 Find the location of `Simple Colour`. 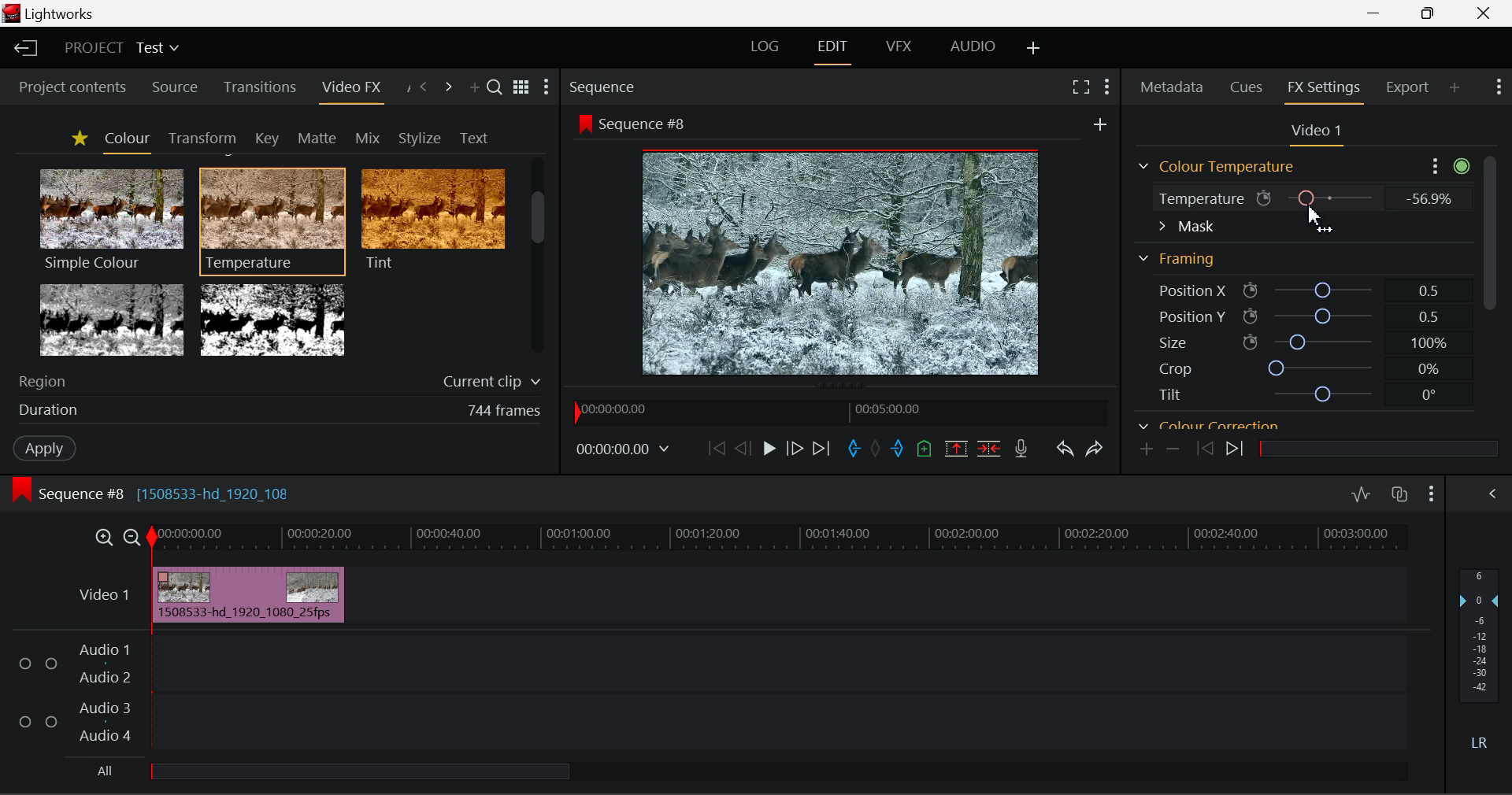

Simple Colour is located at coordinates (110, 219).